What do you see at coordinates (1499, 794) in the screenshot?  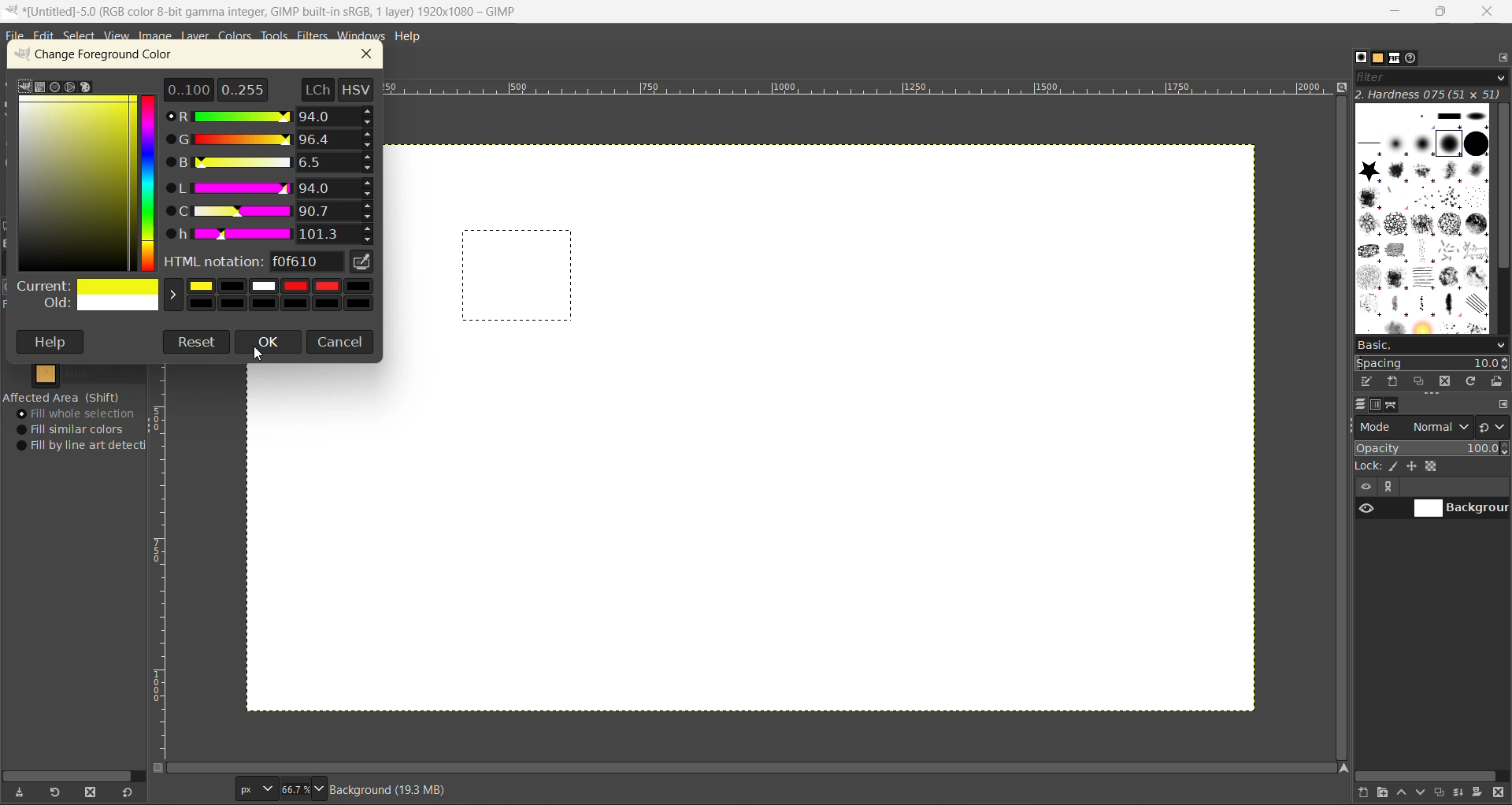 I see `delete this layer` at bounding box center [1499, 794].